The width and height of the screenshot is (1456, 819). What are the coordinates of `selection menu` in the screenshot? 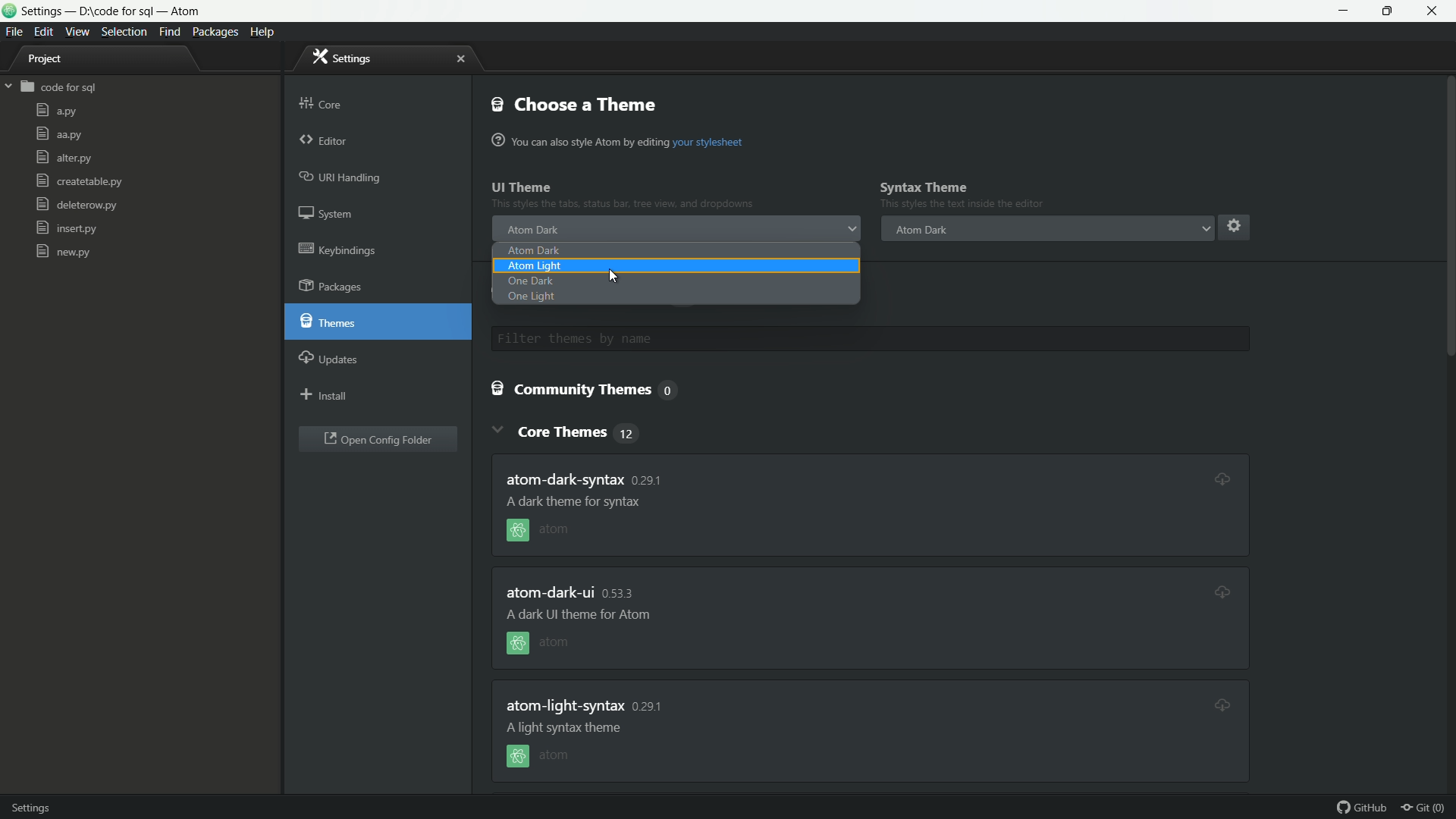 It's located at (124, 32).